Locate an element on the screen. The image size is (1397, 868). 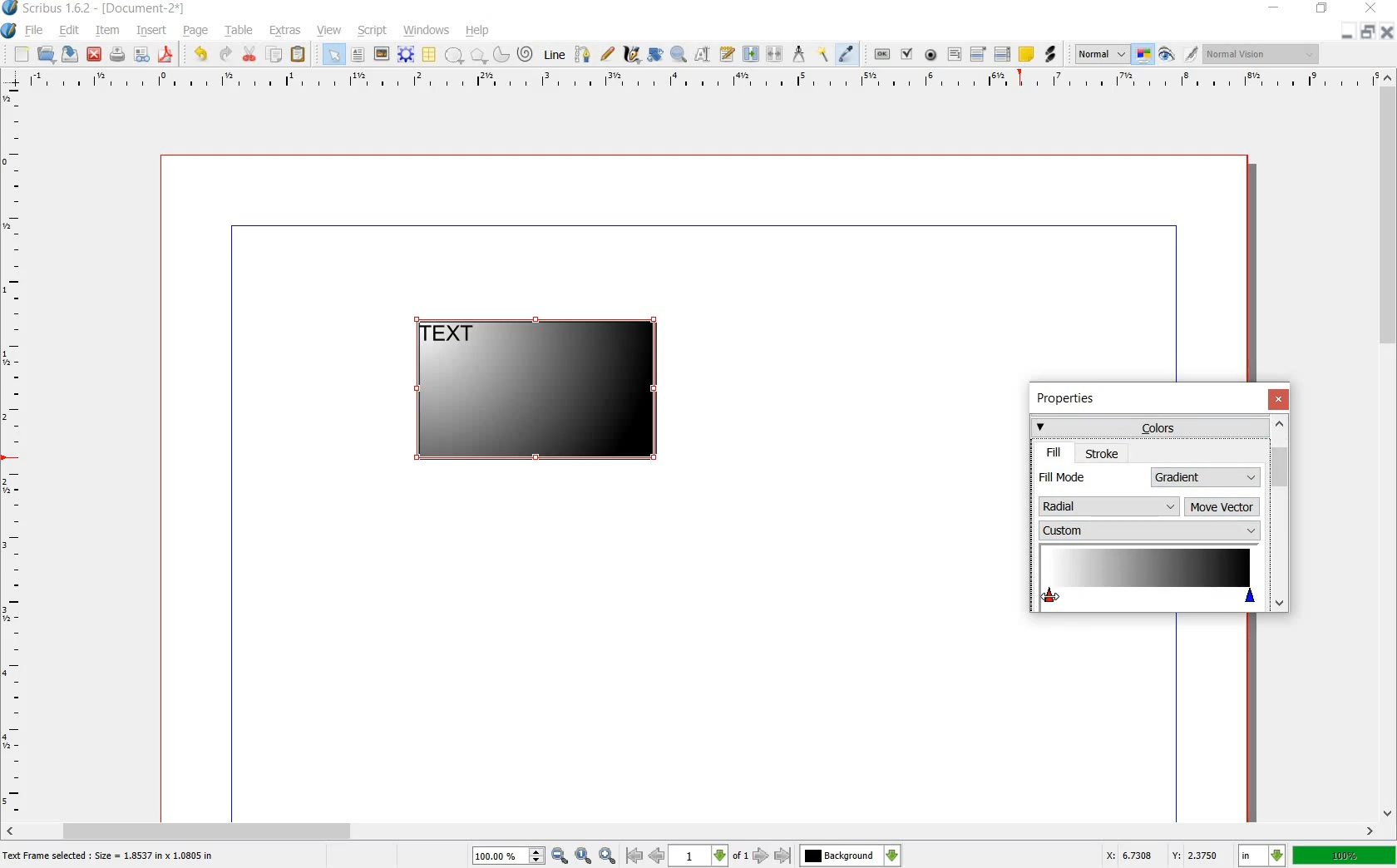
close is located at coordinates (1278, 399).